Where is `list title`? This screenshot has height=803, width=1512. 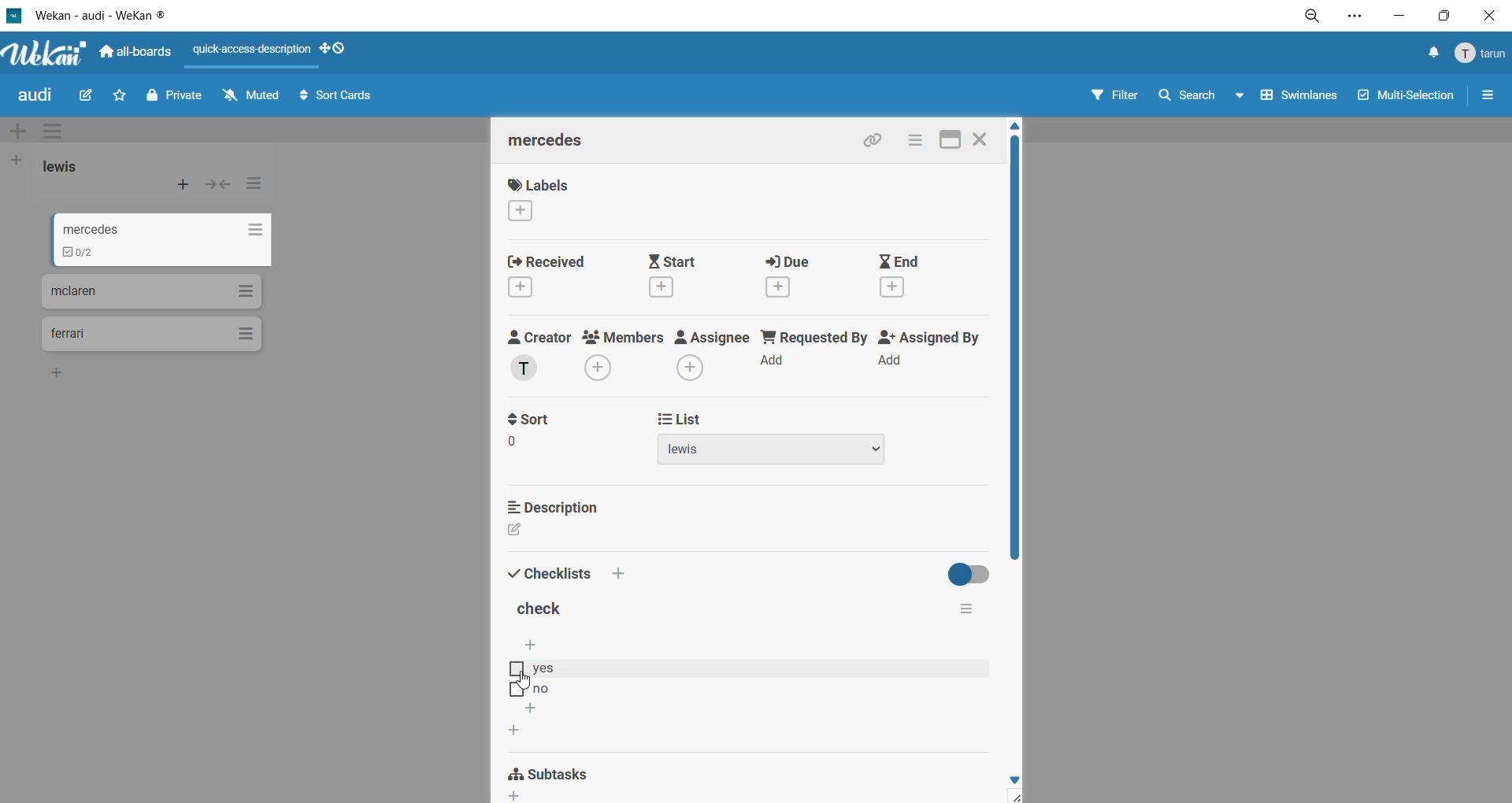 list title is located at coordinates (79, 168).